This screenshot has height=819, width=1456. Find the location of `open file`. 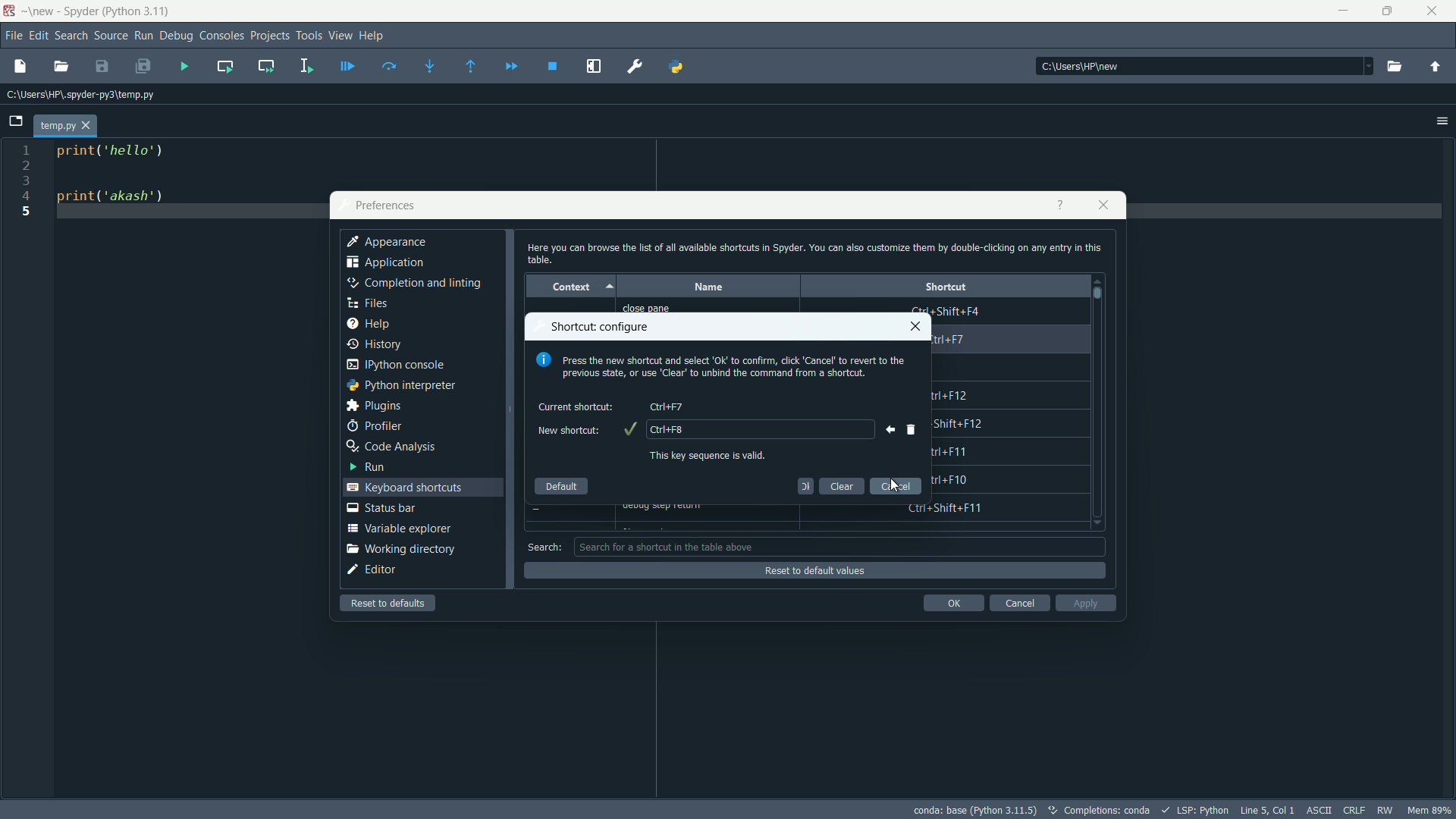

open file is located at coordinates (61, 67).